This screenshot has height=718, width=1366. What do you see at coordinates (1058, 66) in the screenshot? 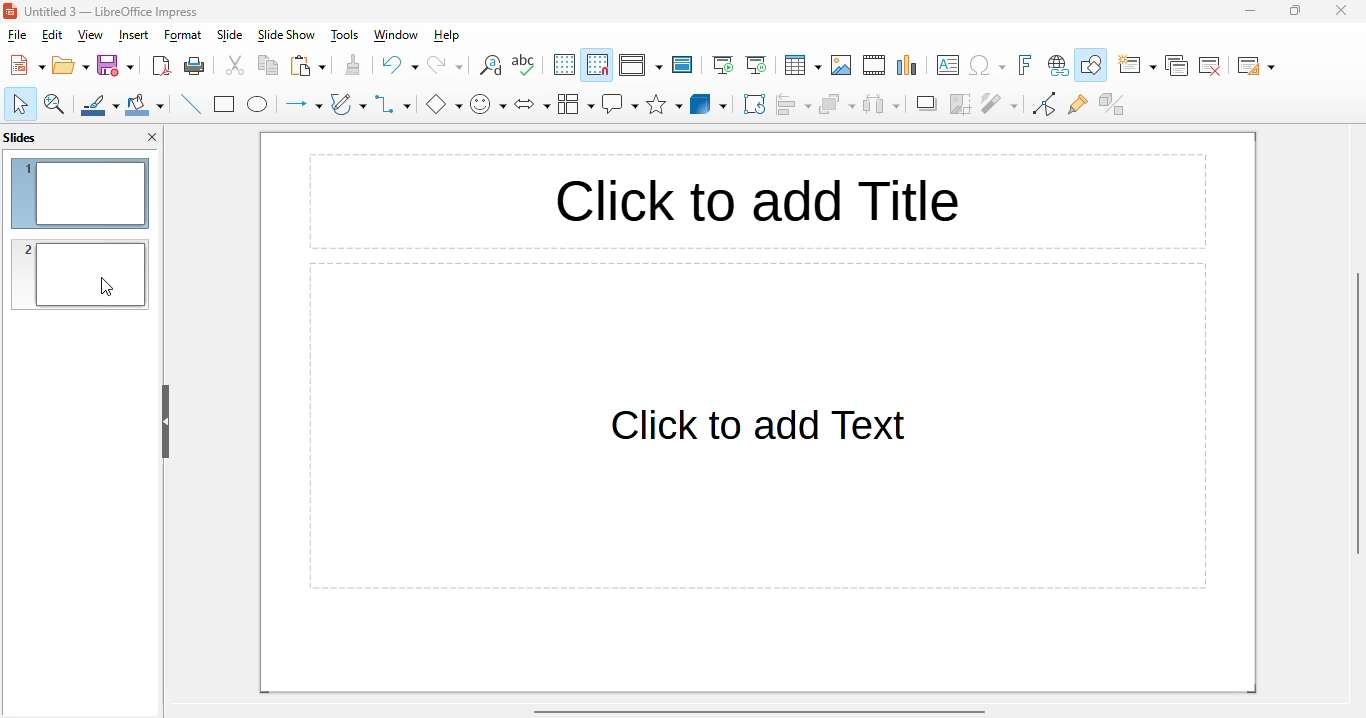
I see `insert hyperlink` at bounding box center [1058, 66].